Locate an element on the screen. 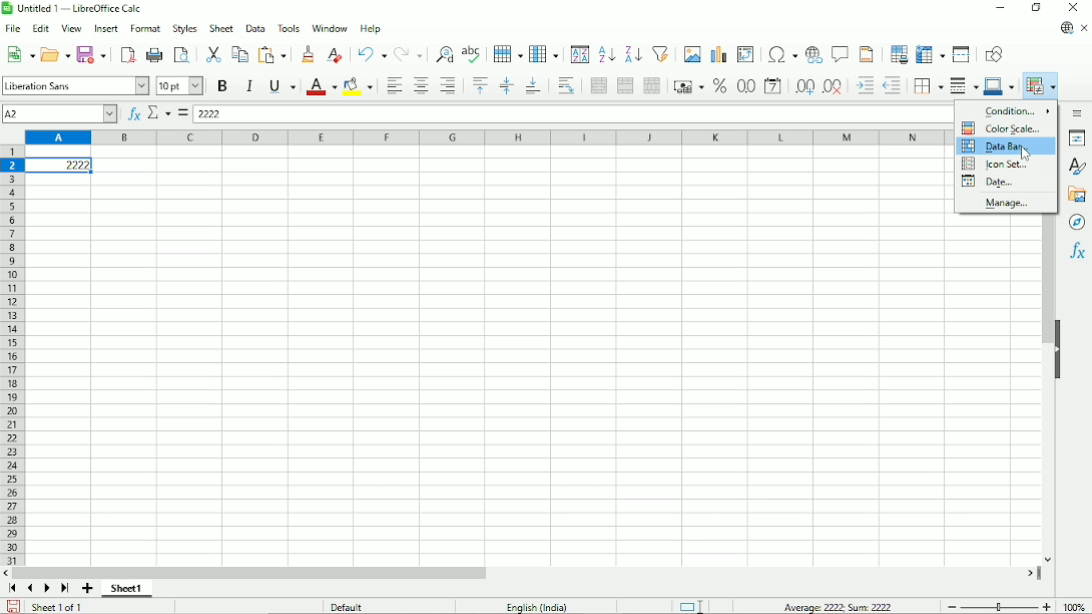  Gallery is located at coordinates (1076, 195).